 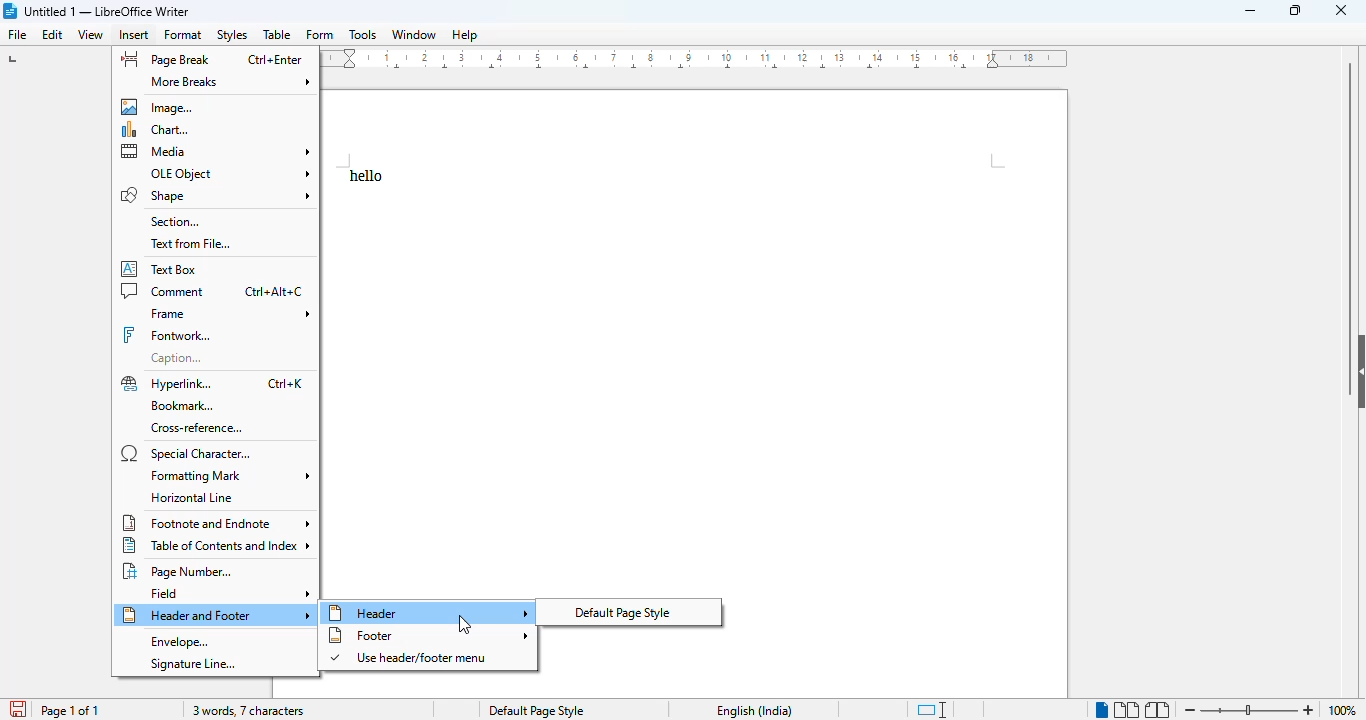 What do you see at coordinates (228, 475) in the screenshot?
I see `formatting mark` at bounding box center [228, 475].